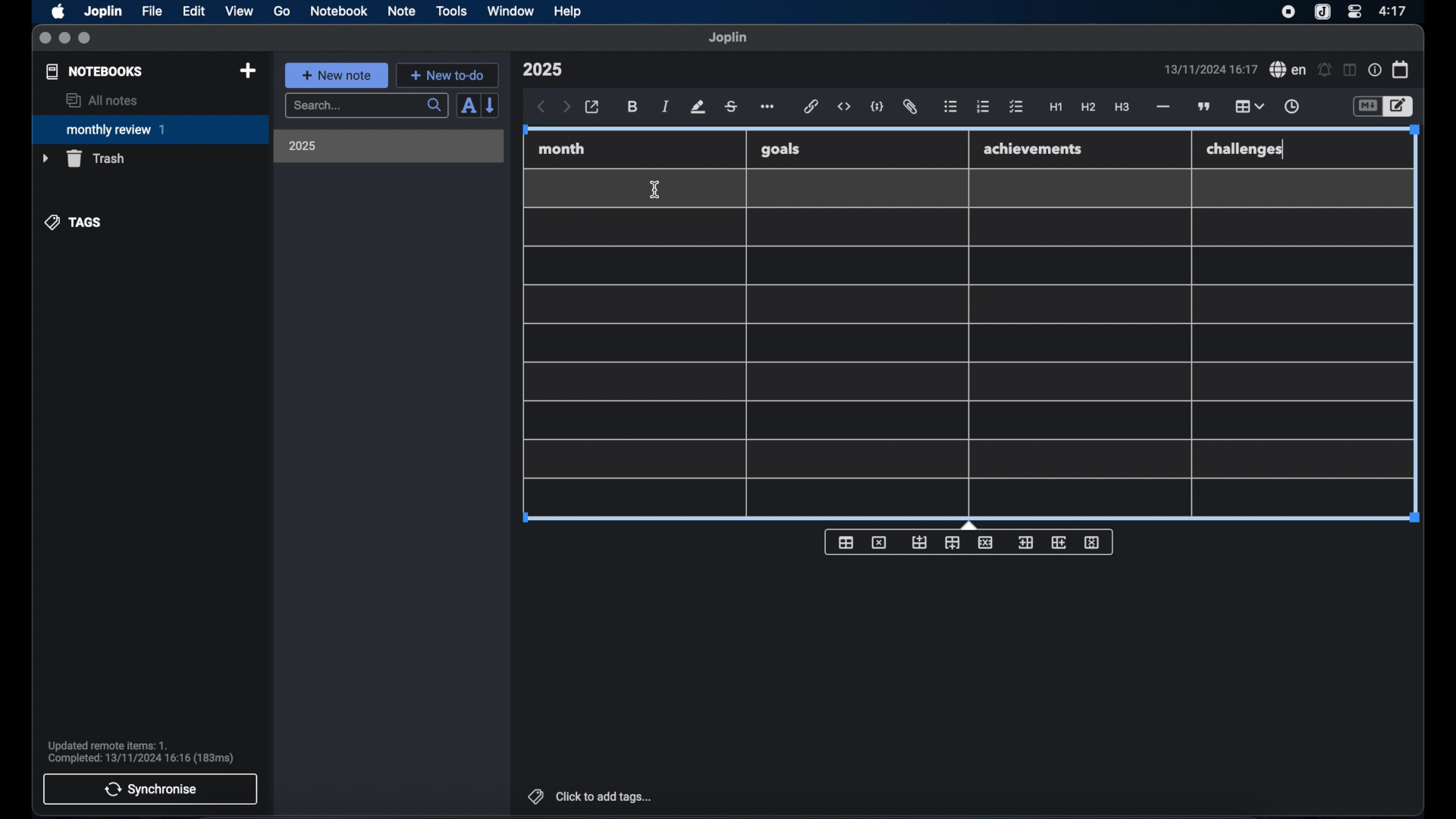 The width and height of the screenshot is (1456, 819). I want to click on file, so click(152, 11).